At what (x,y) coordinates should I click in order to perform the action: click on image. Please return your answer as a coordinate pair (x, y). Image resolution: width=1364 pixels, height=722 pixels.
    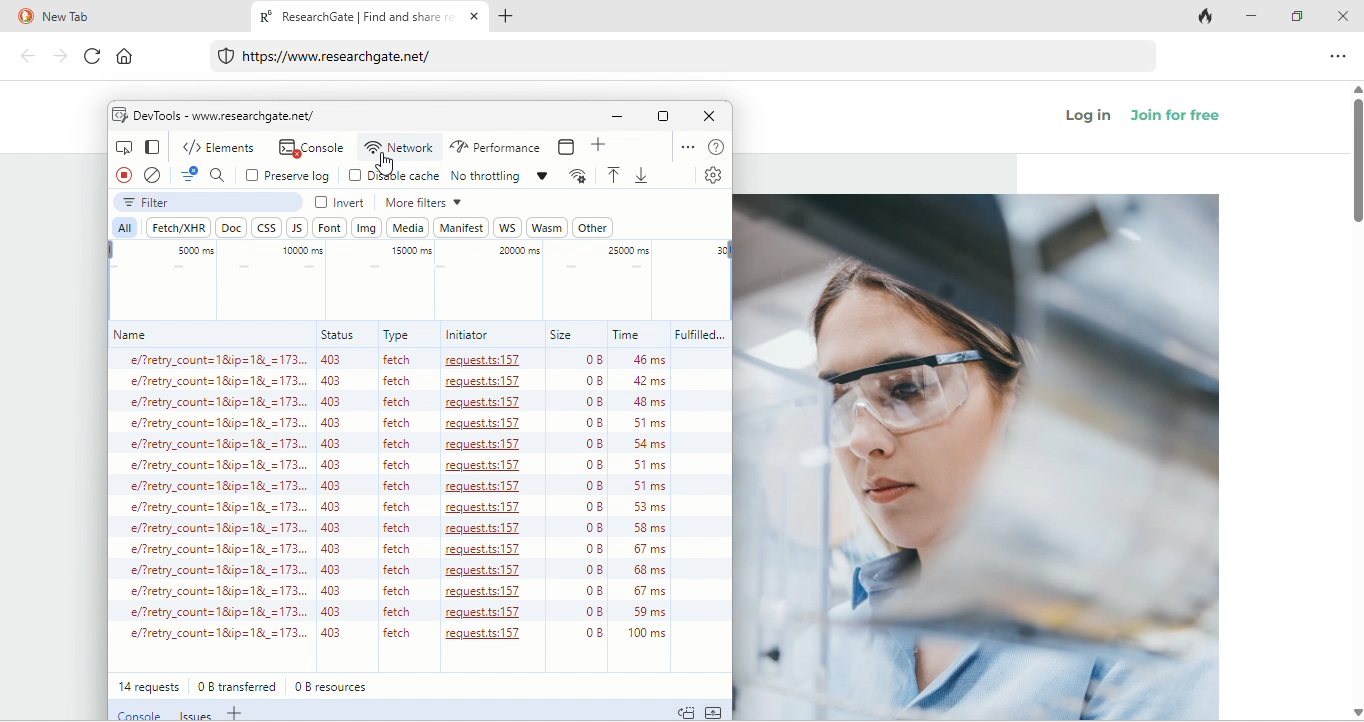
    Looking at the image, I should click on (977, 457).